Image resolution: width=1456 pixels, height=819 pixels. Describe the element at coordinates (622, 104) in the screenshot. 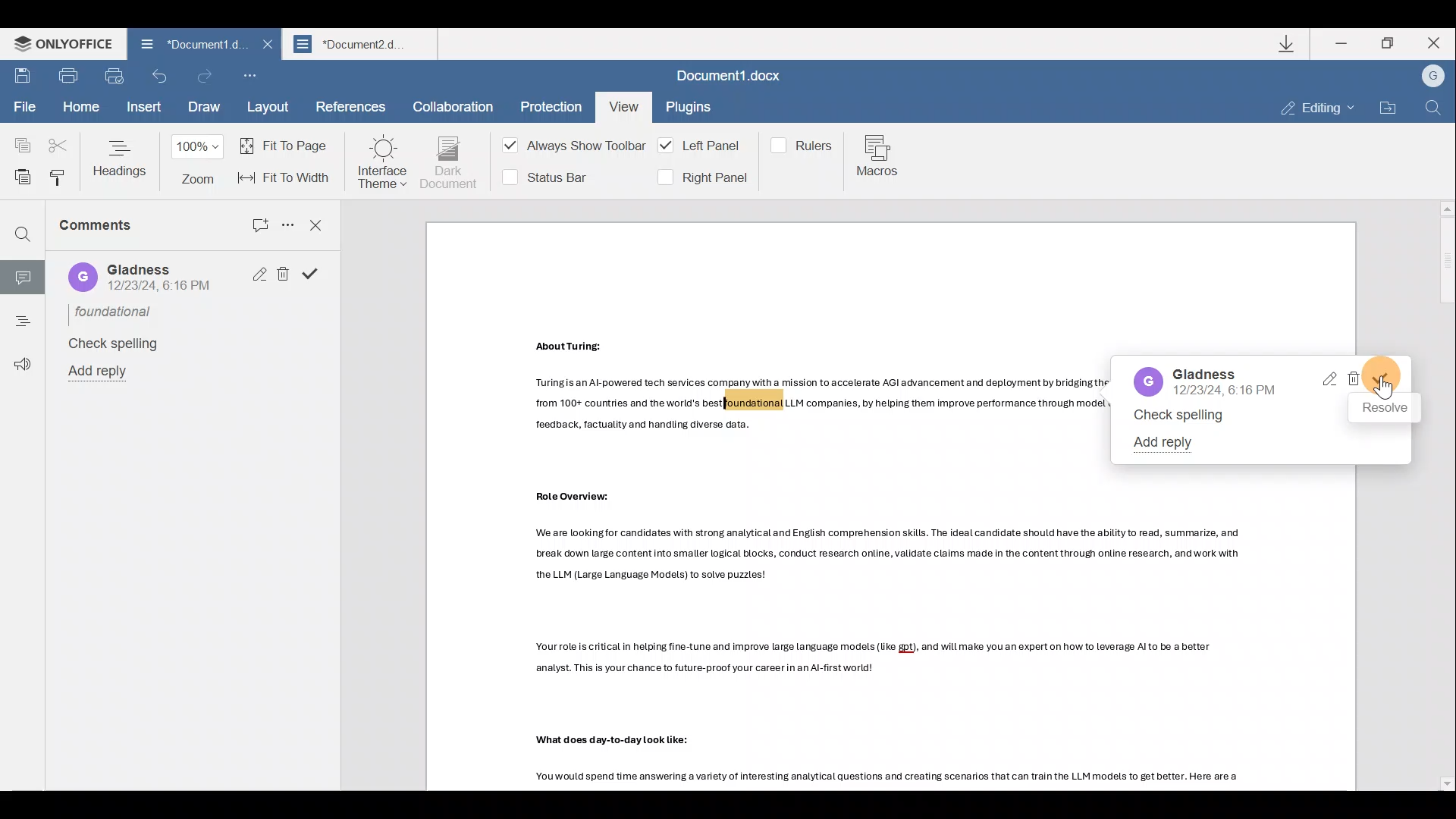

I see `View` at that location.